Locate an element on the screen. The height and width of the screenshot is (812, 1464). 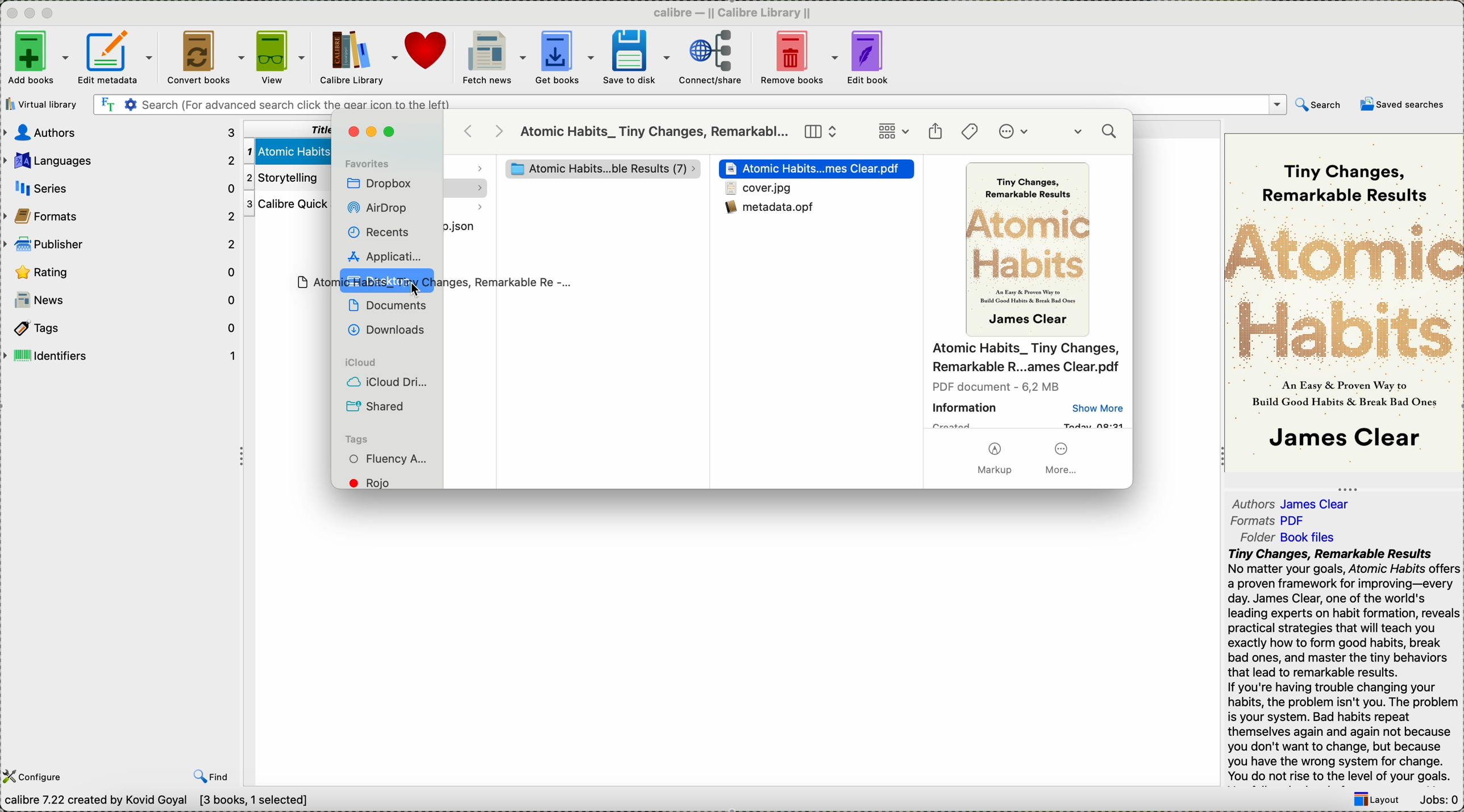
click on first book is located at coordinates (285, 149).